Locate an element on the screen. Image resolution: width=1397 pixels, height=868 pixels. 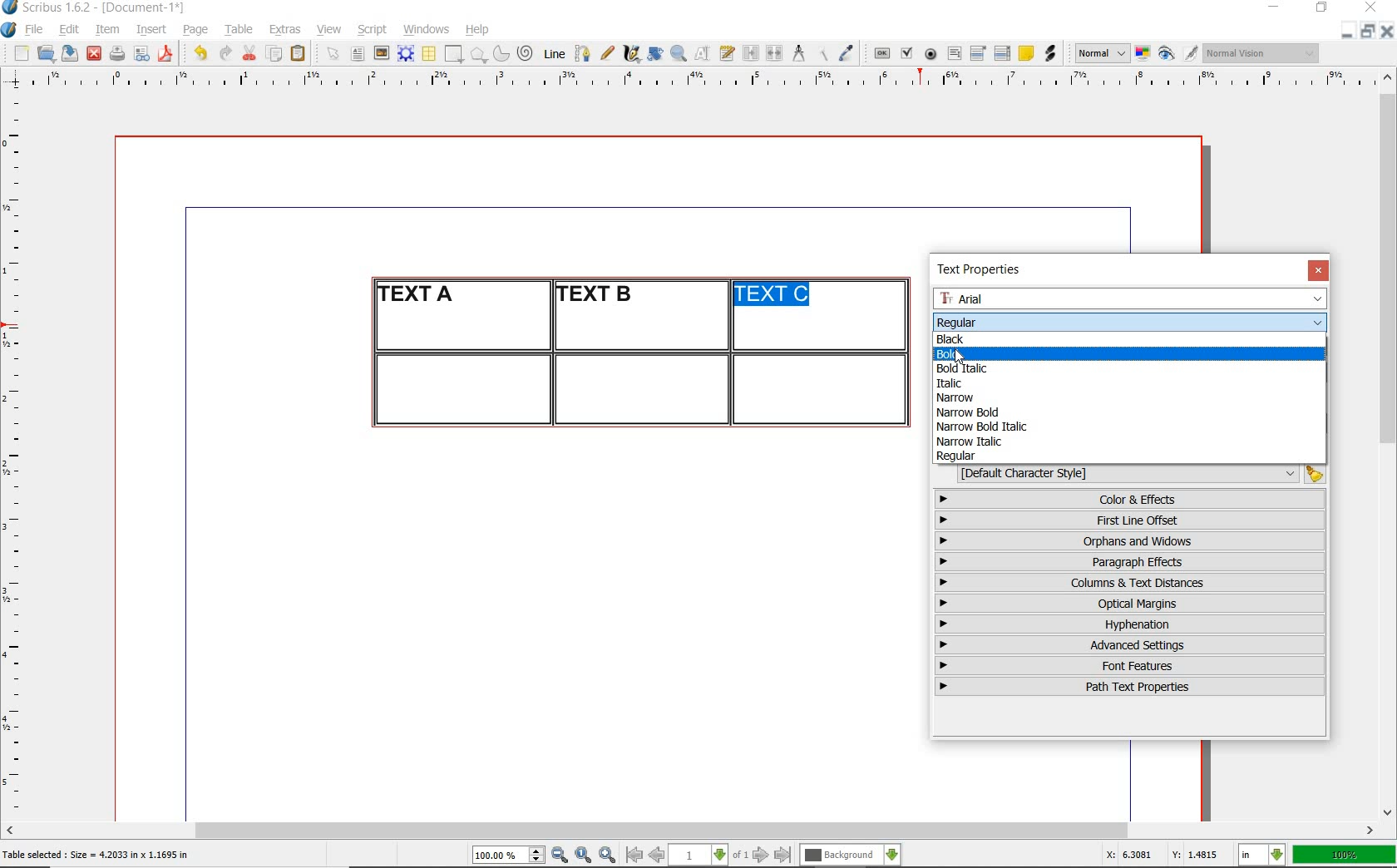
save is located at coordinates (67, 53).